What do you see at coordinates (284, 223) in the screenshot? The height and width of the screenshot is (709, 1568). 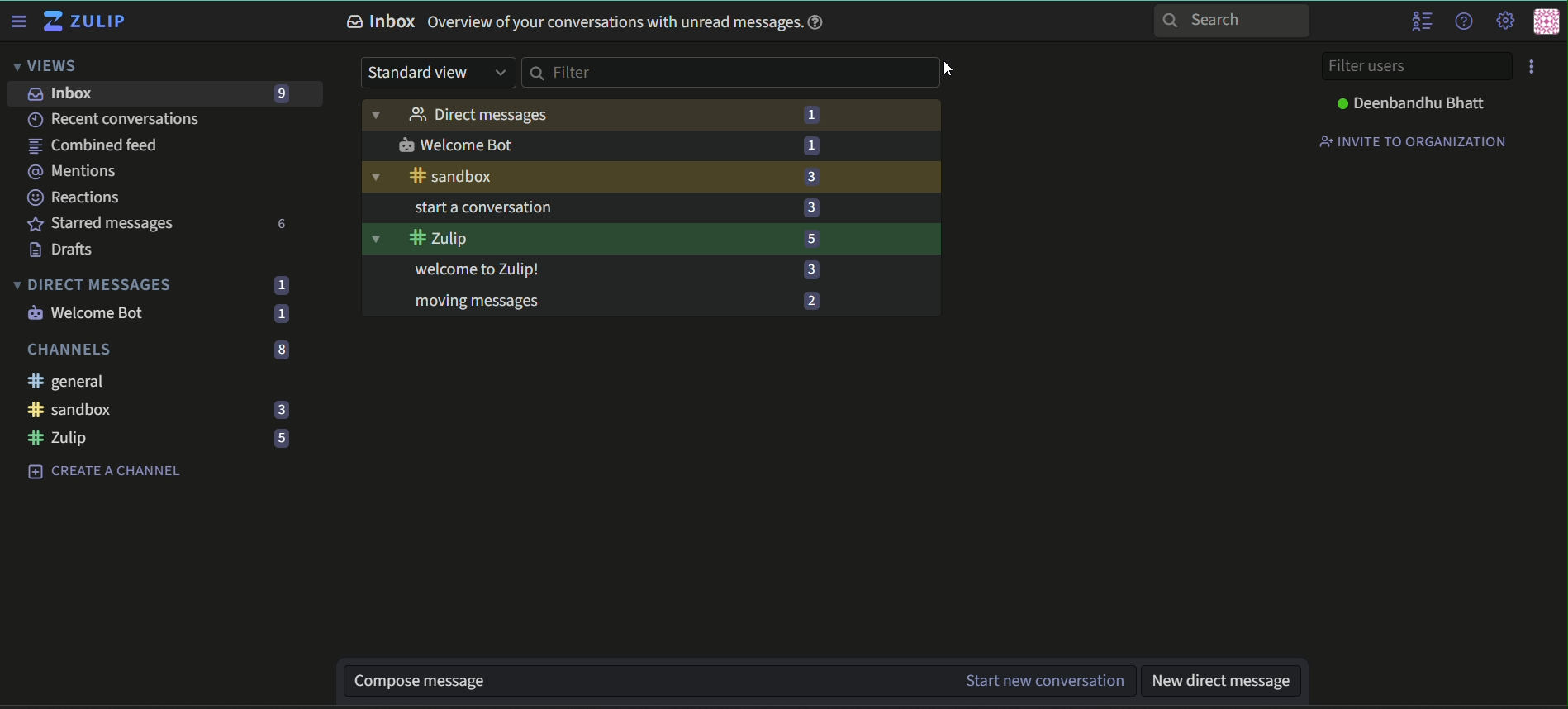 I see `numbers` at bounding box center [284, 223].